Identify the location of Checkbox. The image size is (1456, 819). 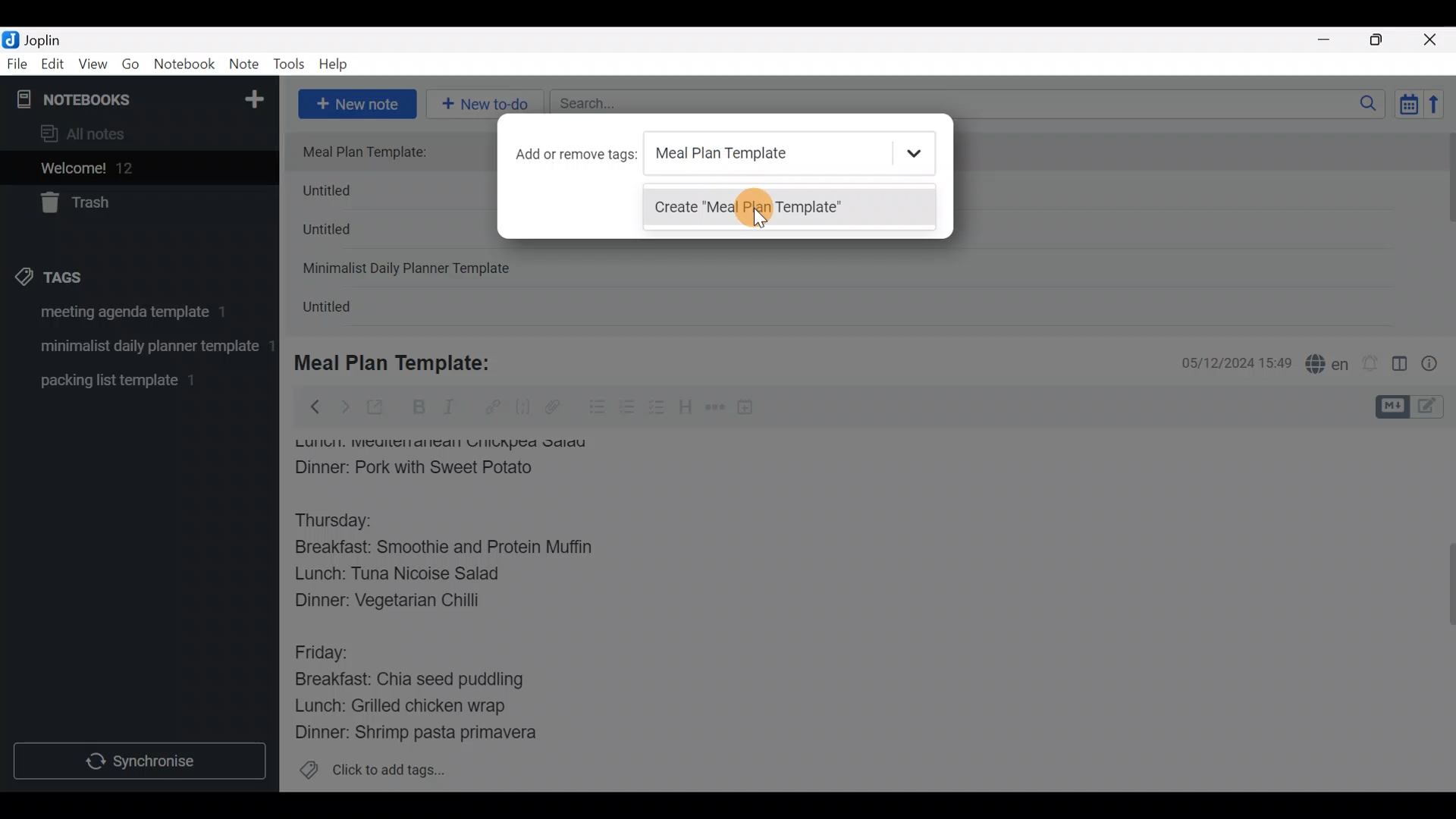
(658, 409).